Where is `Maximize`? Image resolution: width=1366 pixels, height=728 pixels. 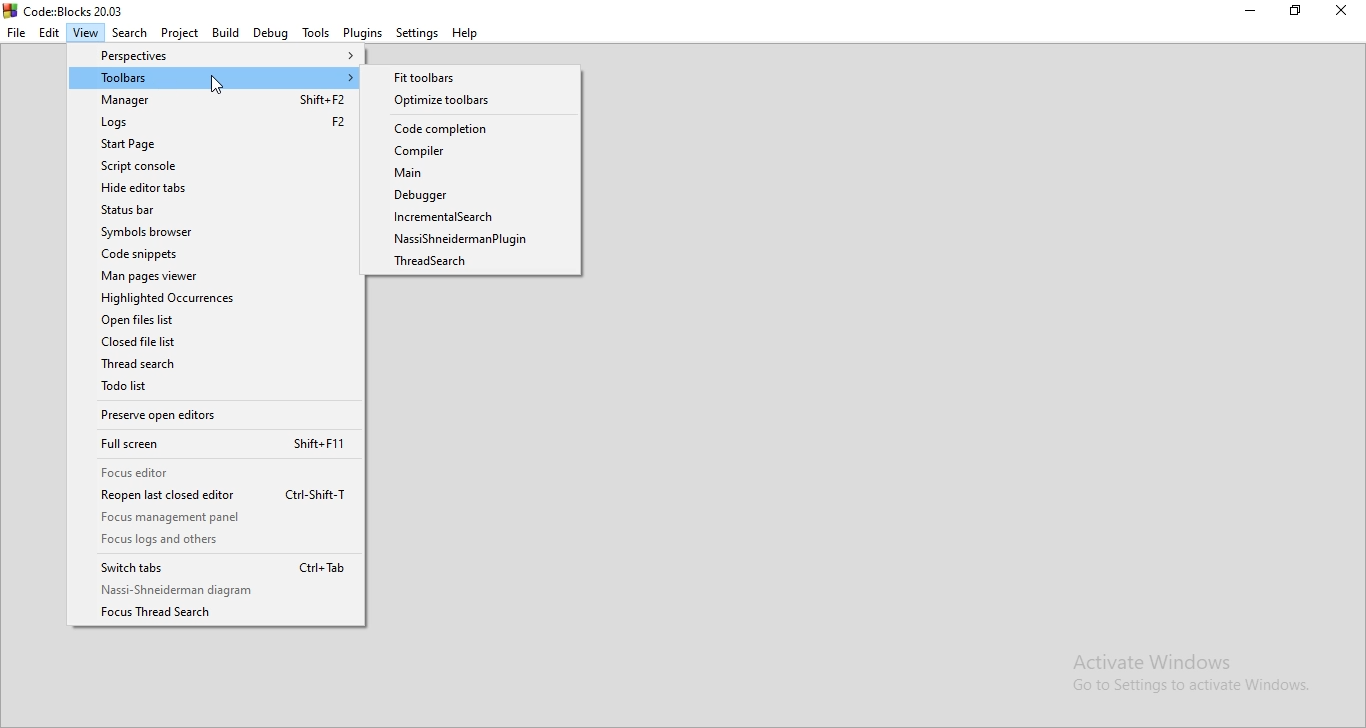 Maximize is located at coordinates (1299, 12).